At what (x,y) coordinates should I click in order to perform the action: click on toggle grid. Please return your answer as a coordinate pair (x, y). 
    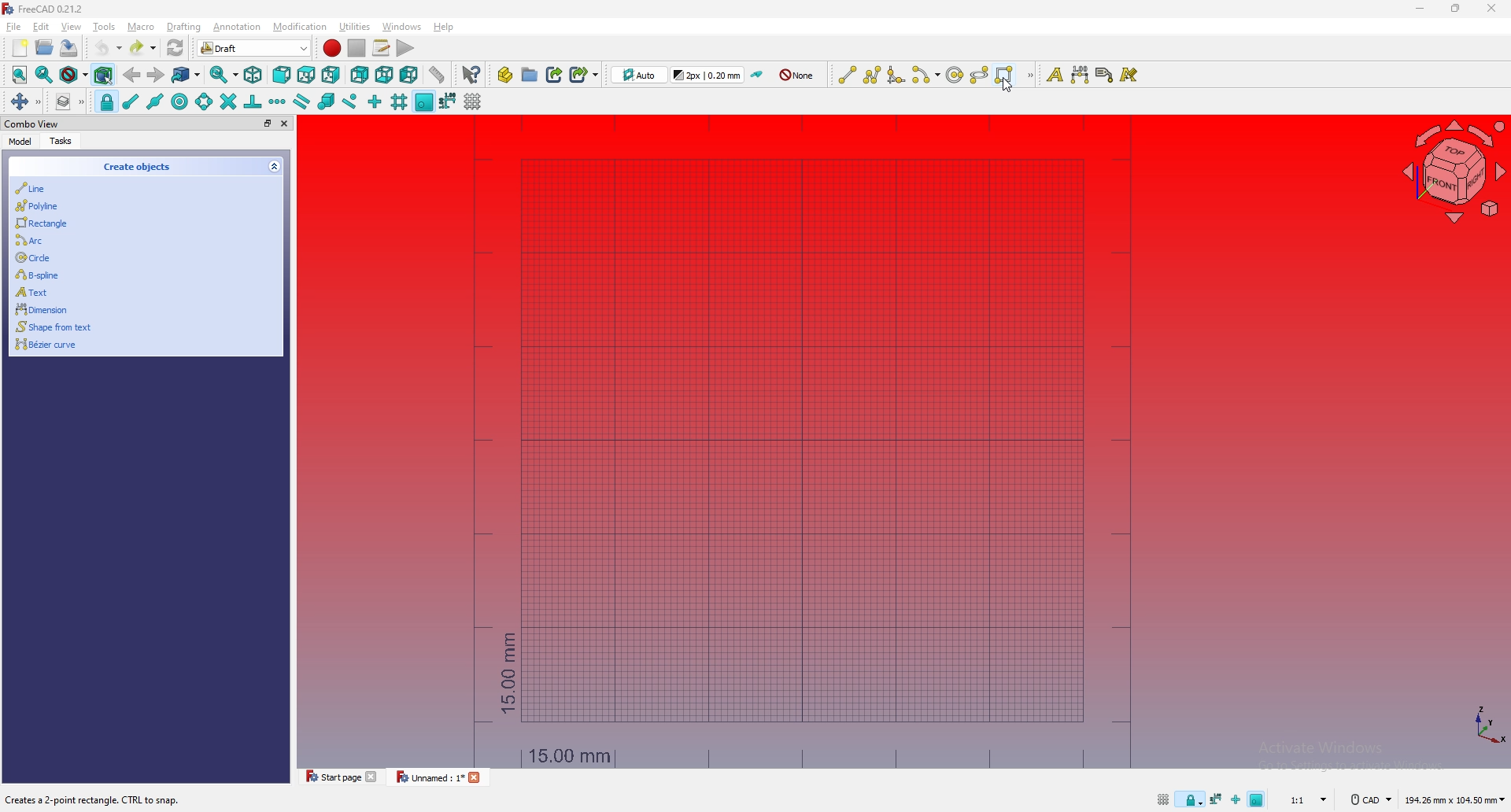
    Looking at the image, I should click on (474, 101).